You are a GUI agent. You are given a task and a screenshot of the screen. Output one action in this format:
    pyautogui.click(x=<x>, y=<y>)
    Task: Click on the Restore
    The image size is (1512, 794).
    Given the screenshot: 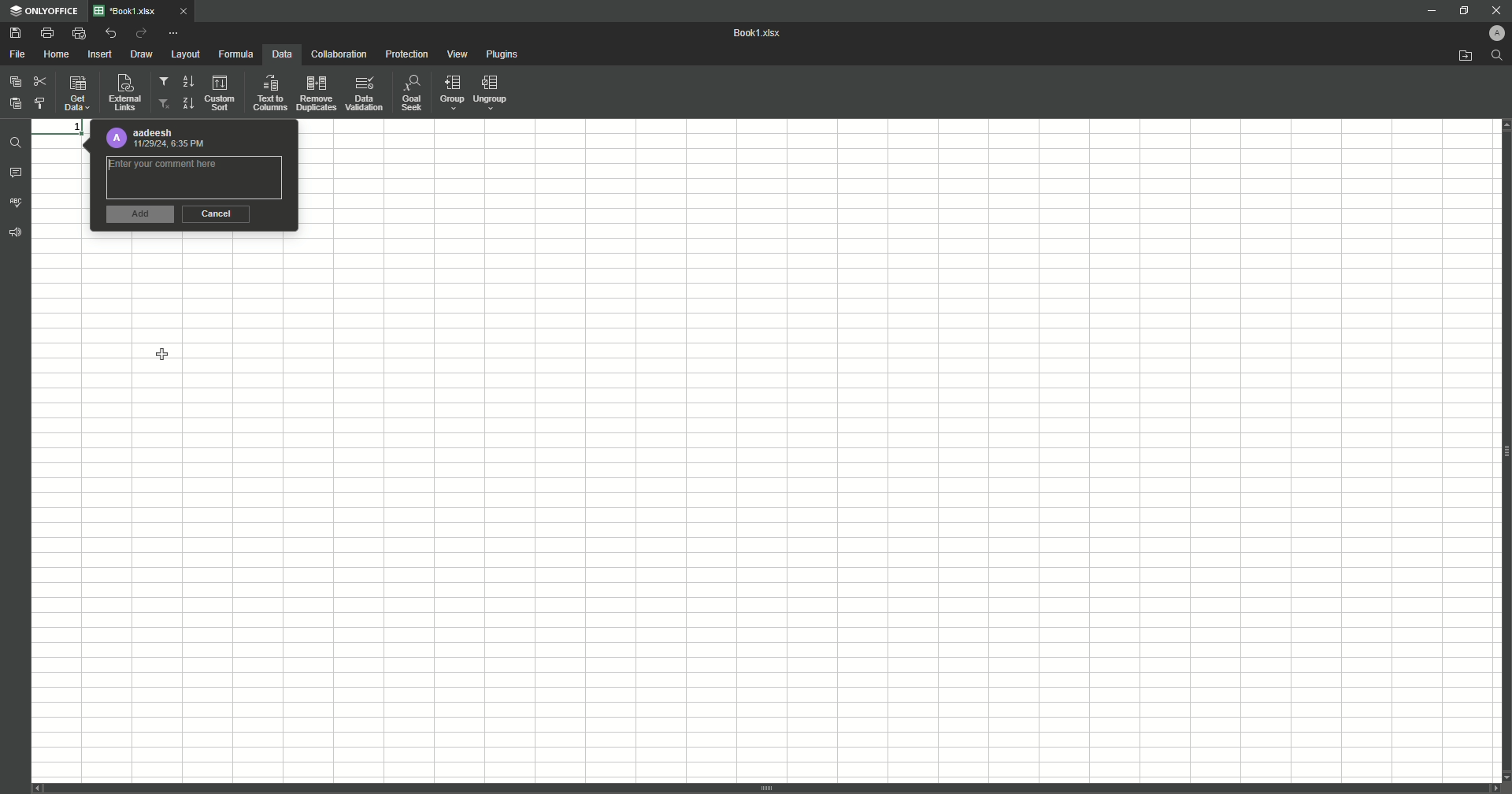 What is the action you would take?
    pyautogui.click(x=1462, y=10)
    